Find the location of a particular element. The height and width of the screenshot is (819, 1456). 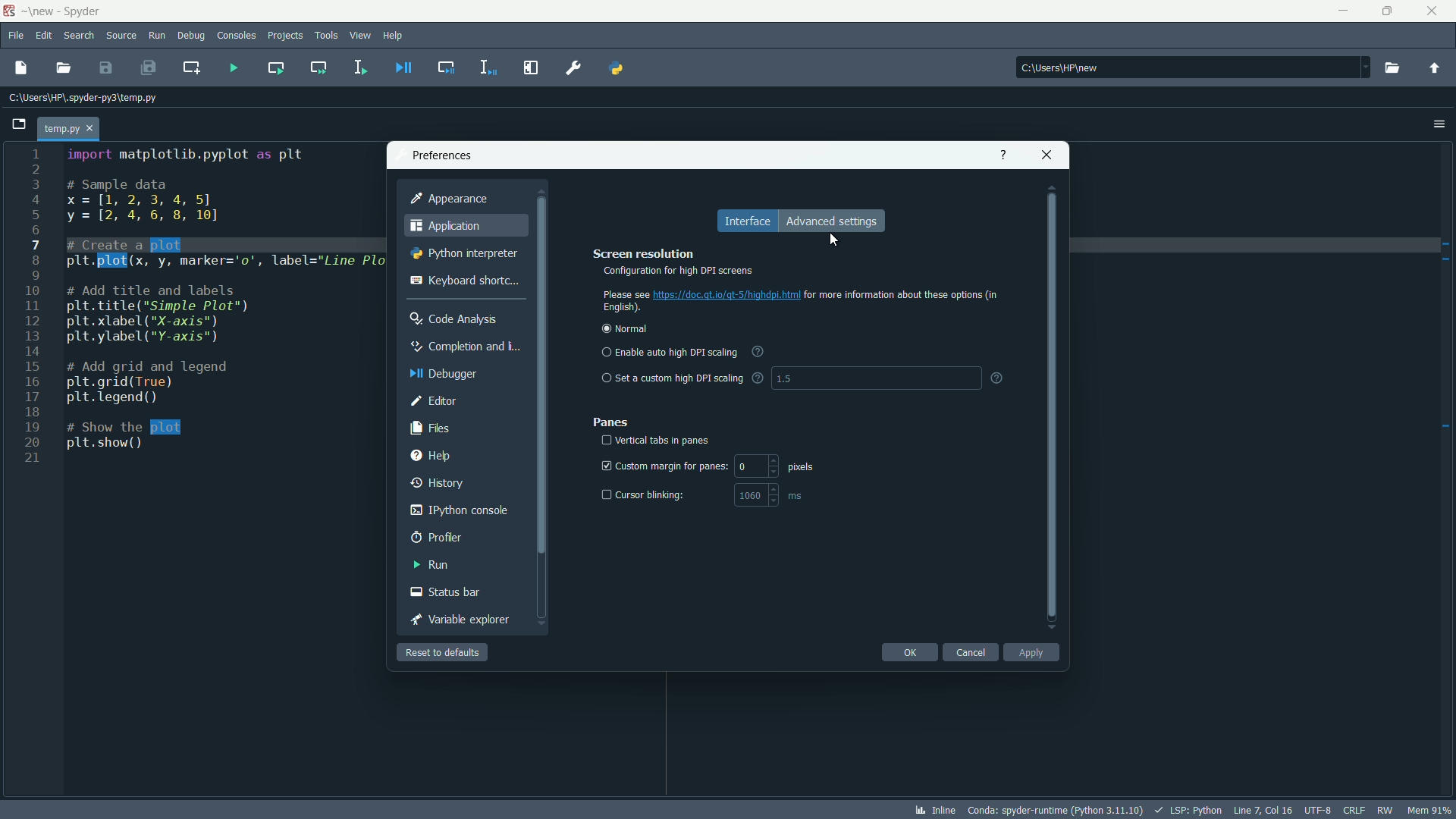

custom margin for panes is located at coordinates (672, 466).